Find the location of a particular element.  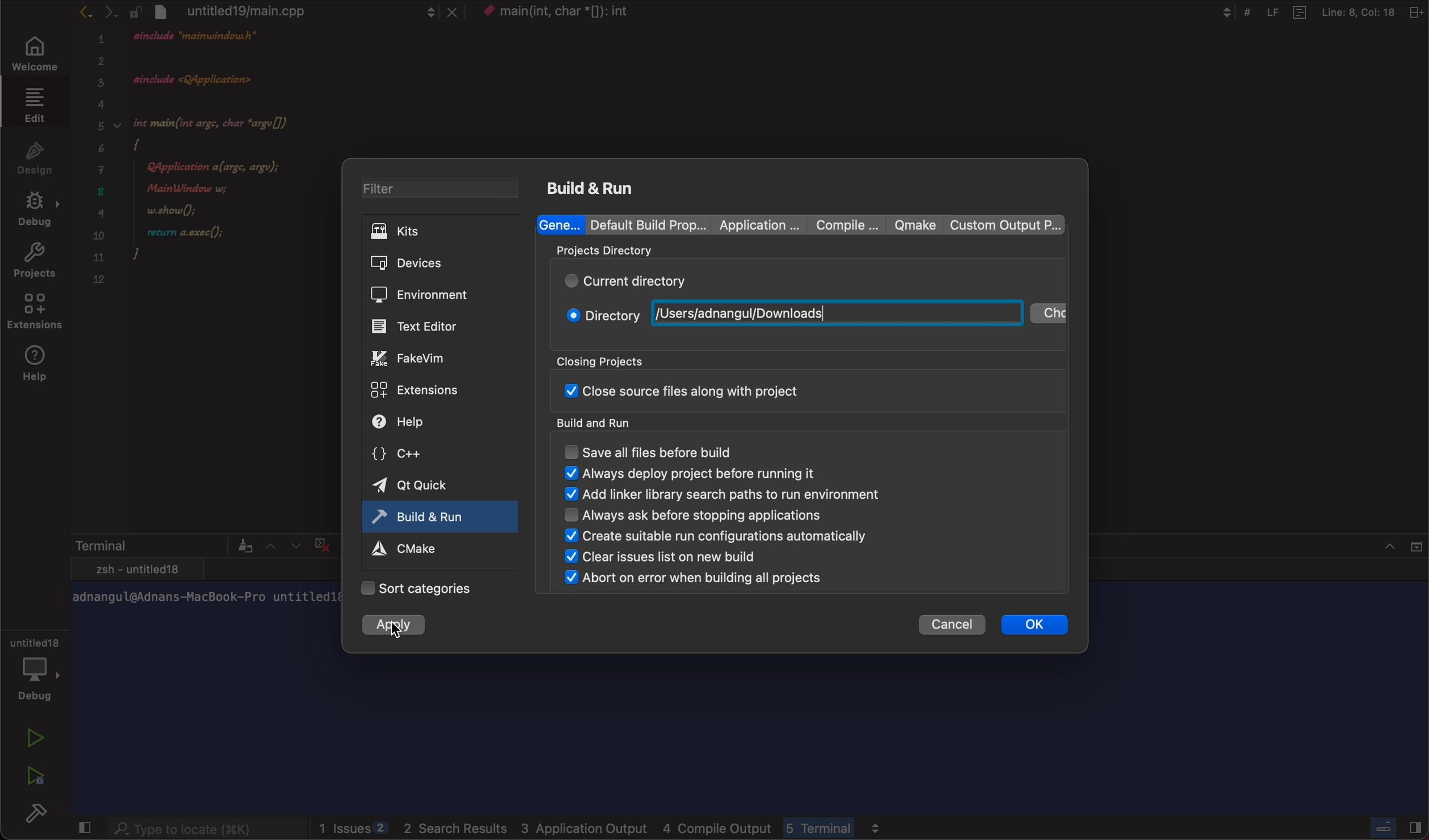

arrows is located at coordinates (91, 14).